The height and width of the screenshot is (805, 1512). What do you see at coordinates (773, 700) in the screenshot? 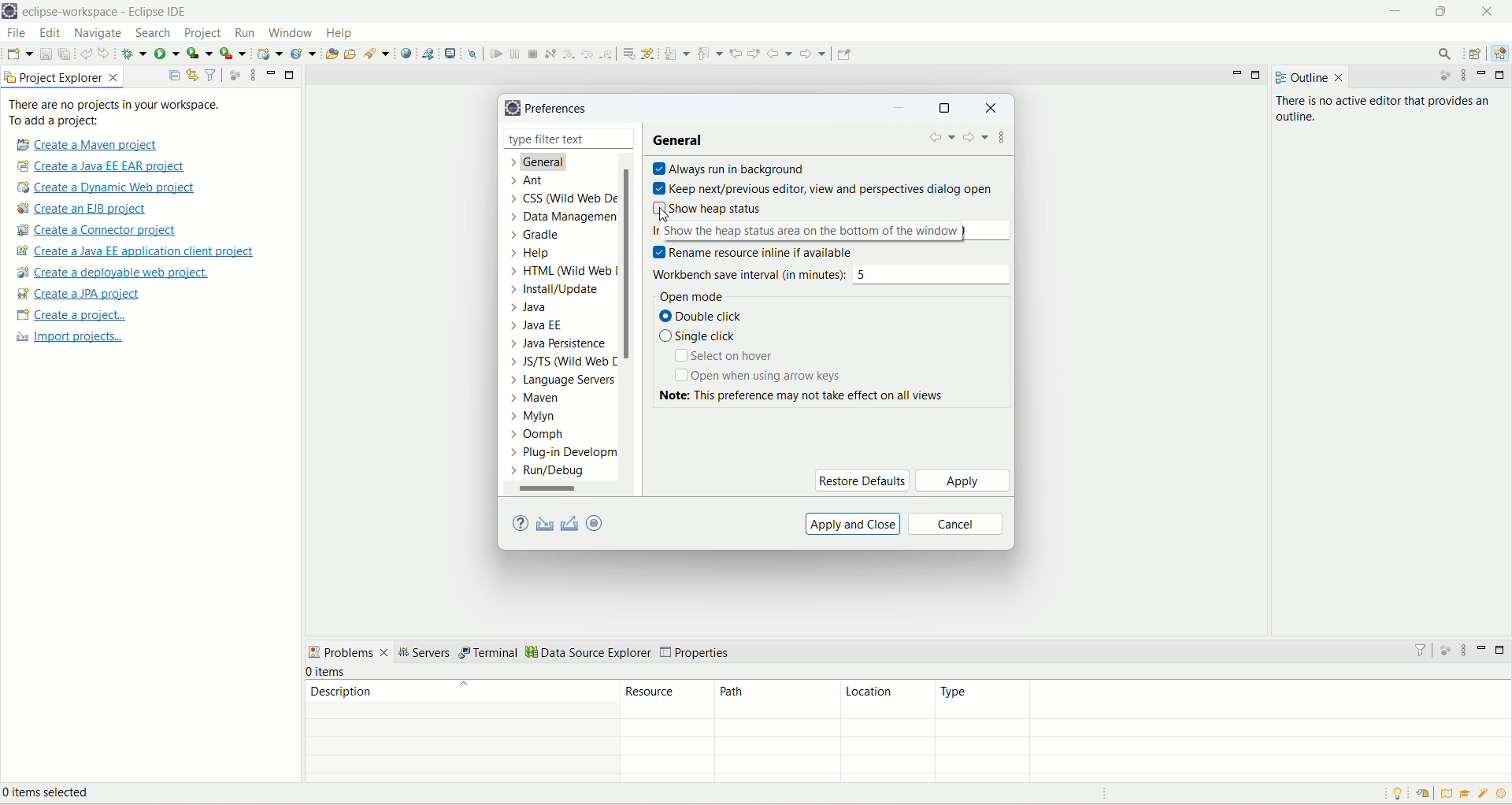
I see `path` at bounding box center [773, 700].